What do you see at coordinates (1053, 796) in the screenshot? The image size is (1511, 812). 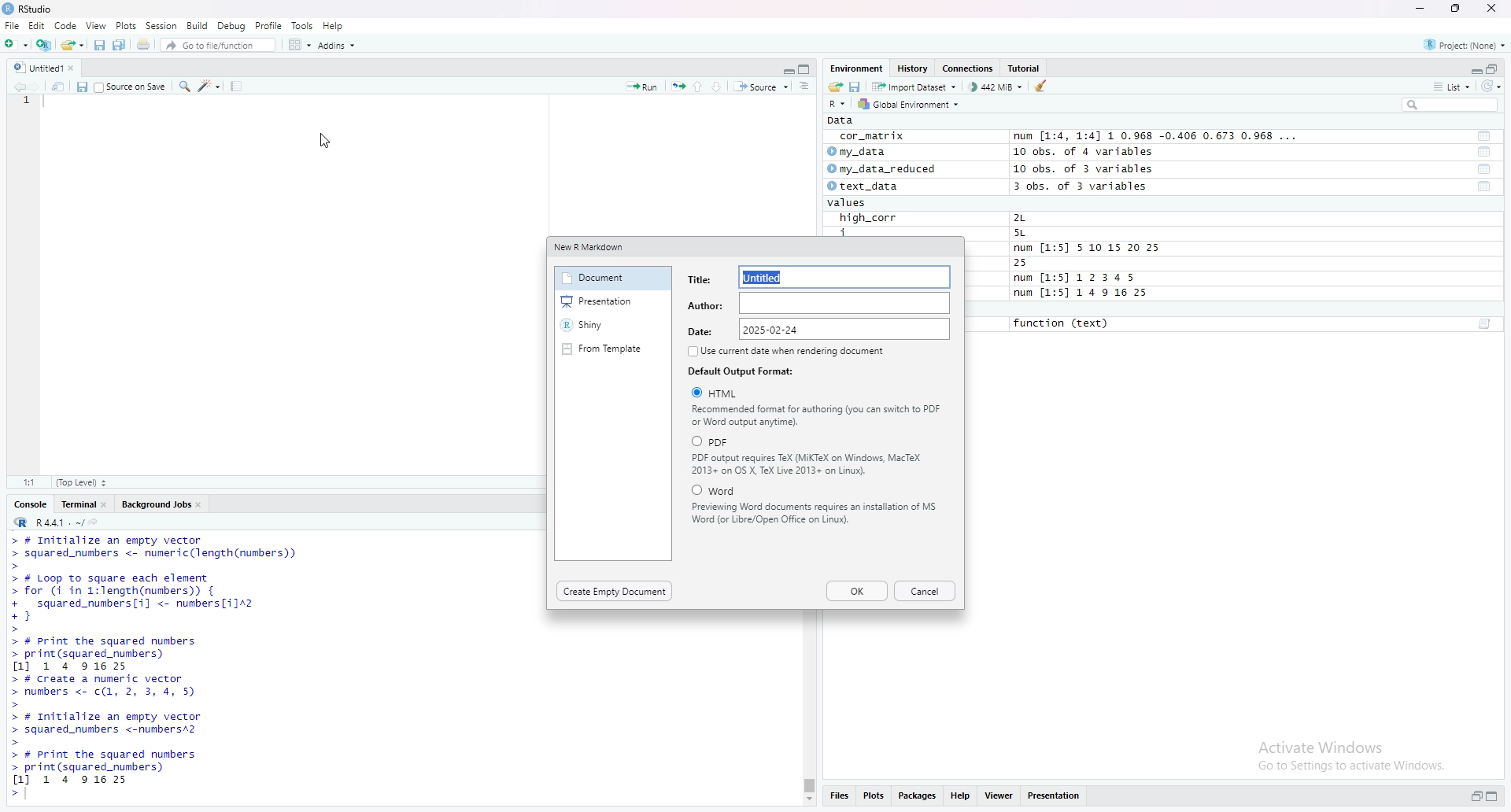 I see `Presentation` at bounding box center [1053, 796].